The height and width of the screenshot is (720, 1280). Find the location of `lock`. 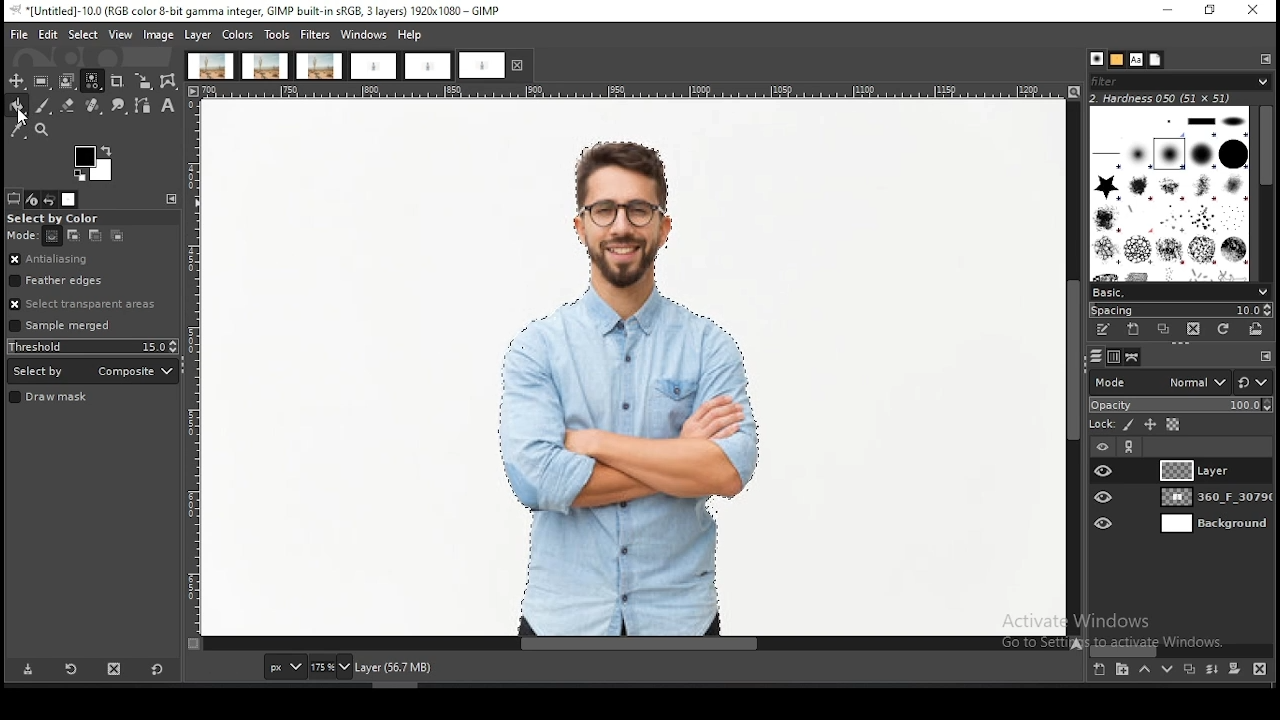

lock is located at coordinates (1100, 425).